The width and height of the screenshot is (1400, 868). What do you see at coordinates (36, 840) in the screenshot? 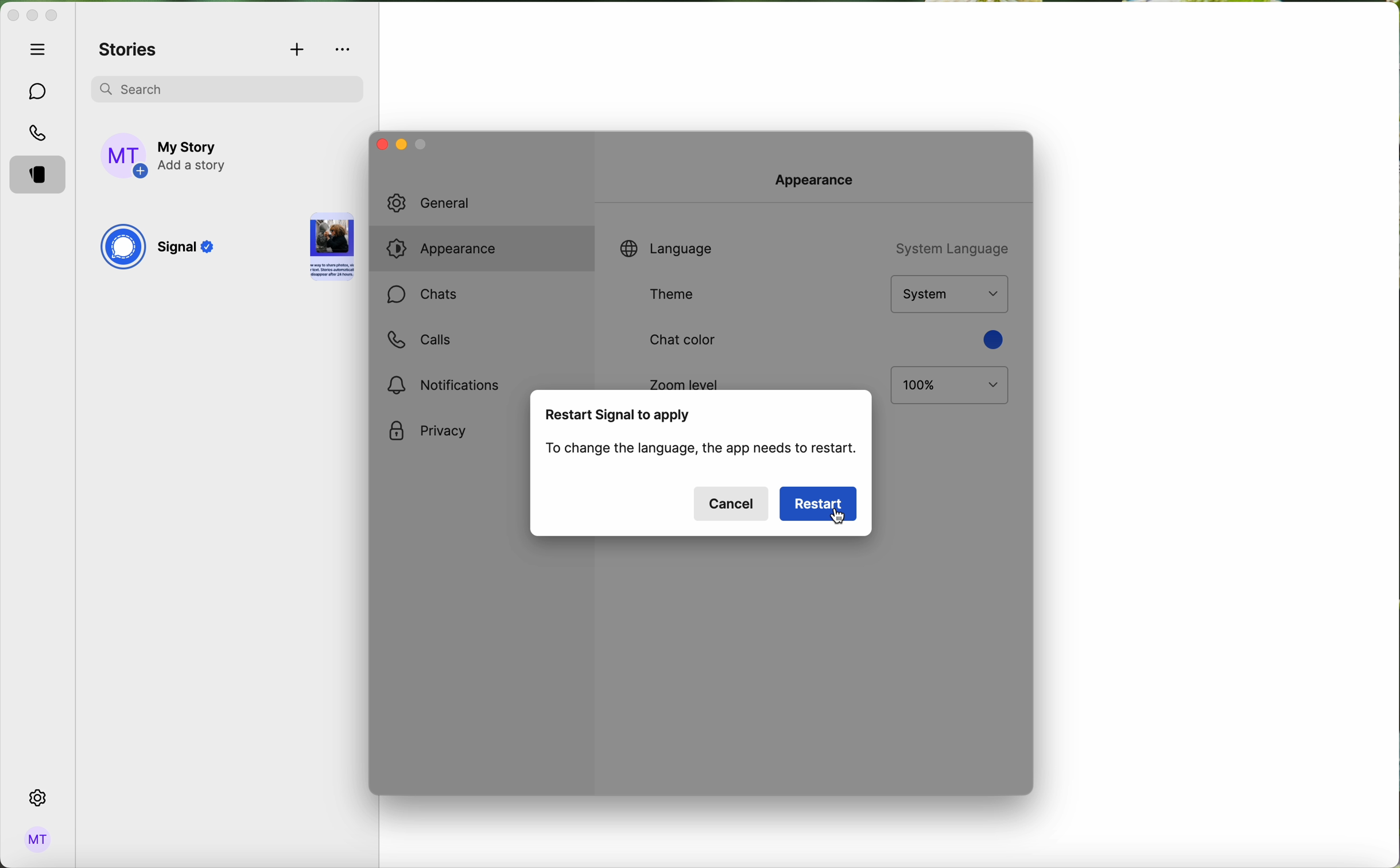
I see `admin logo` at bounding box center [36, 840].